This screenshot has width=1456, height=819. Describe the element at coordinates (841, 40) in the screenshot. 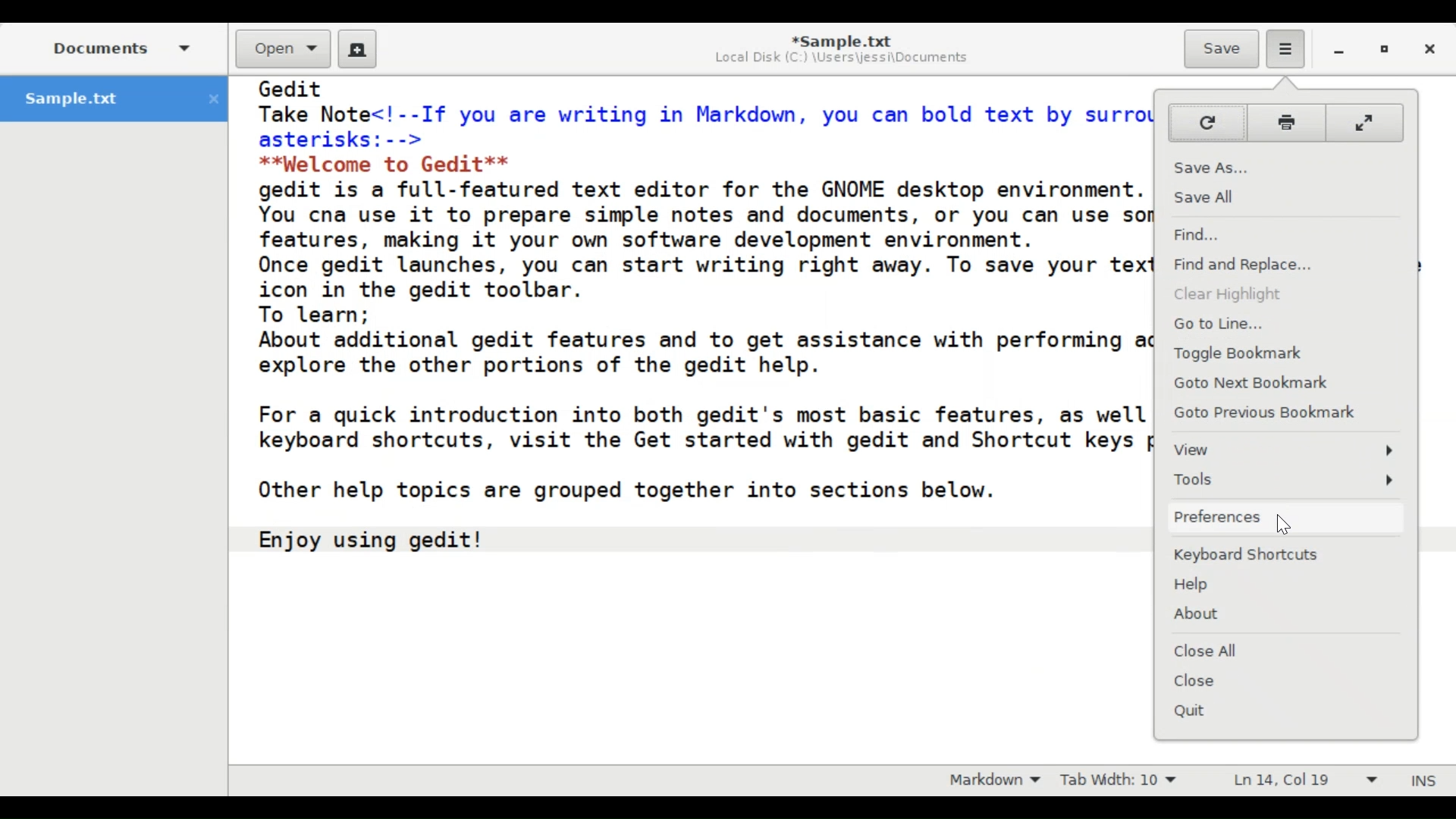

I see `*Sample.txt` at that location.